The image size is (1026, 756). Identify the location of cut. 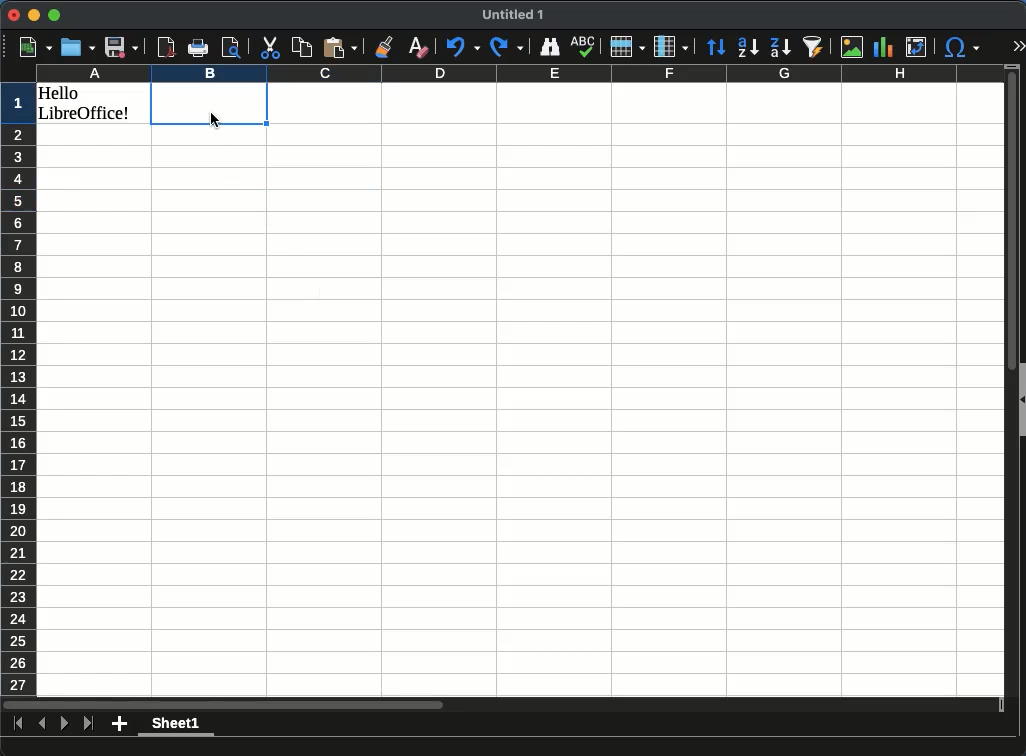
(268, 47).